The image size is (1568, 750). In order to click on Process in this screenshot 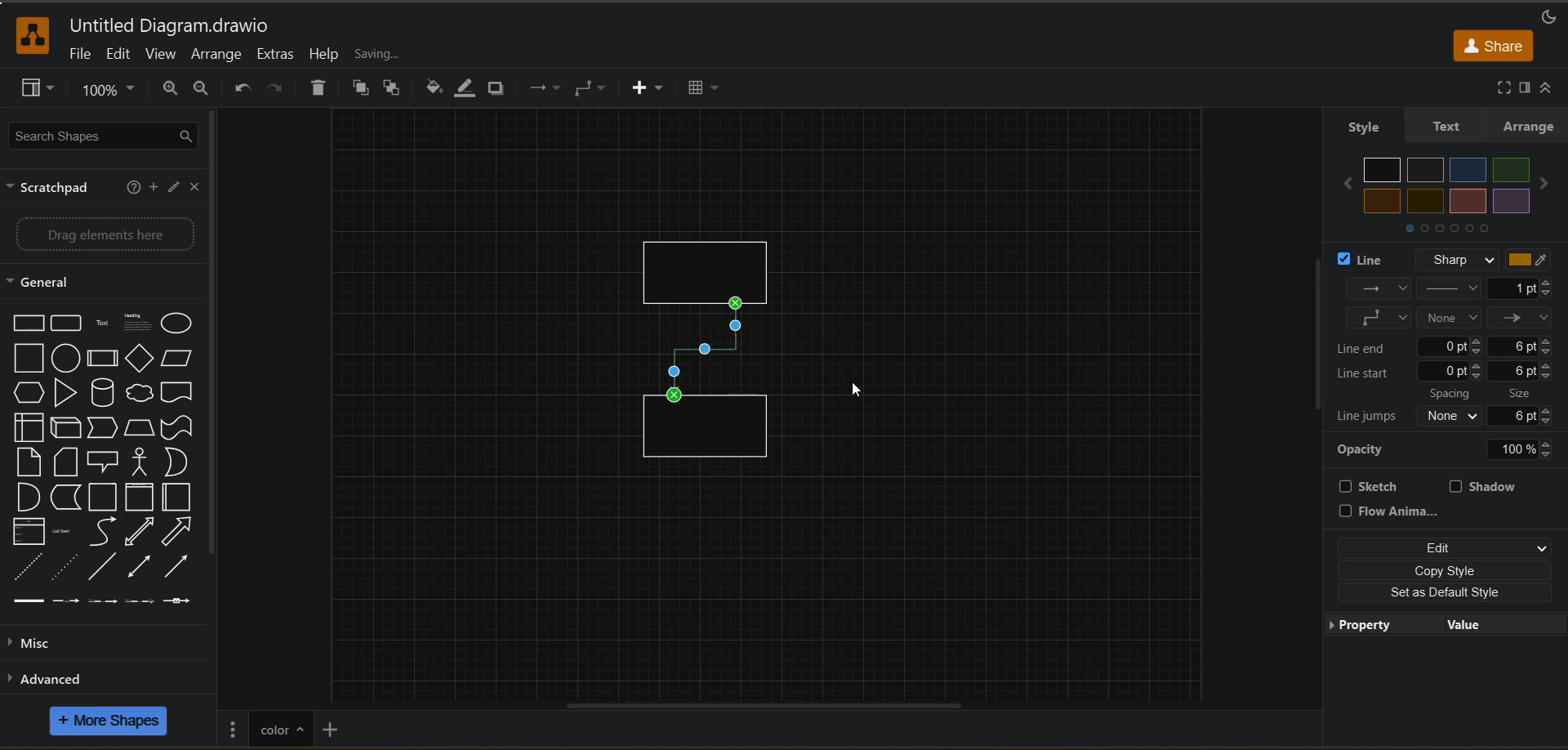, I will do `click(104, 359)`.